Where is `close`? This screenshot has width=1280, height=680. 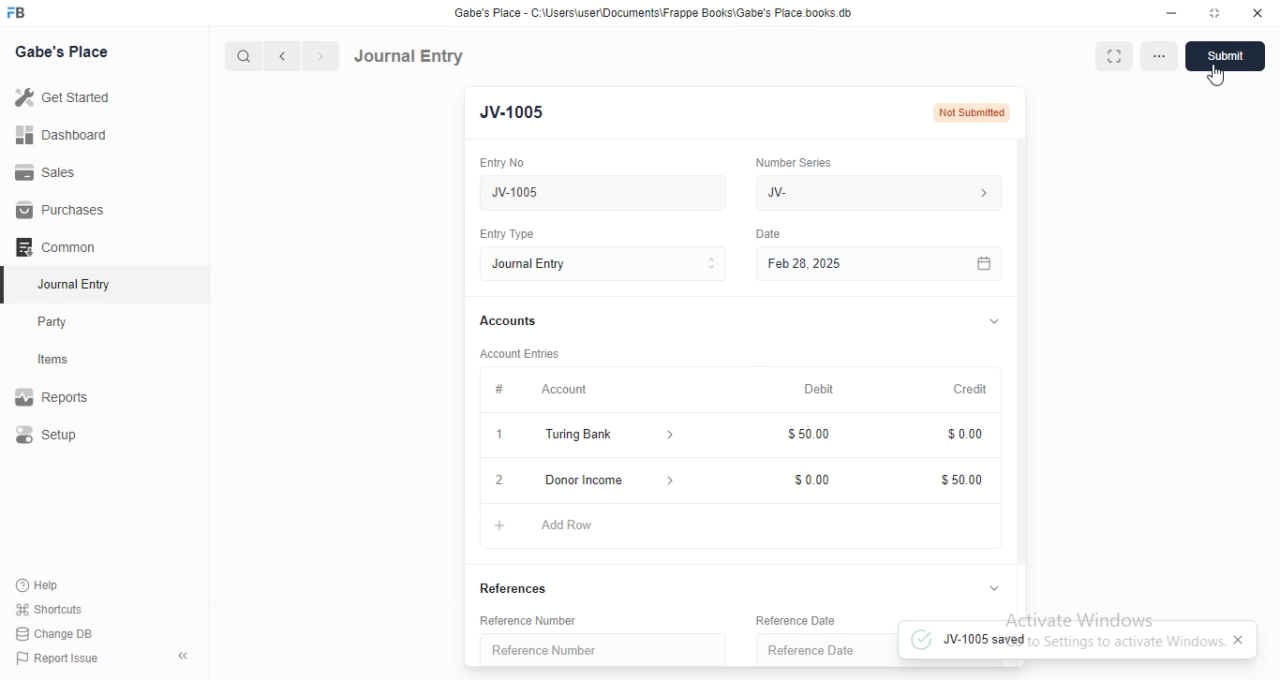 close is located at coordinates (1258, 14).